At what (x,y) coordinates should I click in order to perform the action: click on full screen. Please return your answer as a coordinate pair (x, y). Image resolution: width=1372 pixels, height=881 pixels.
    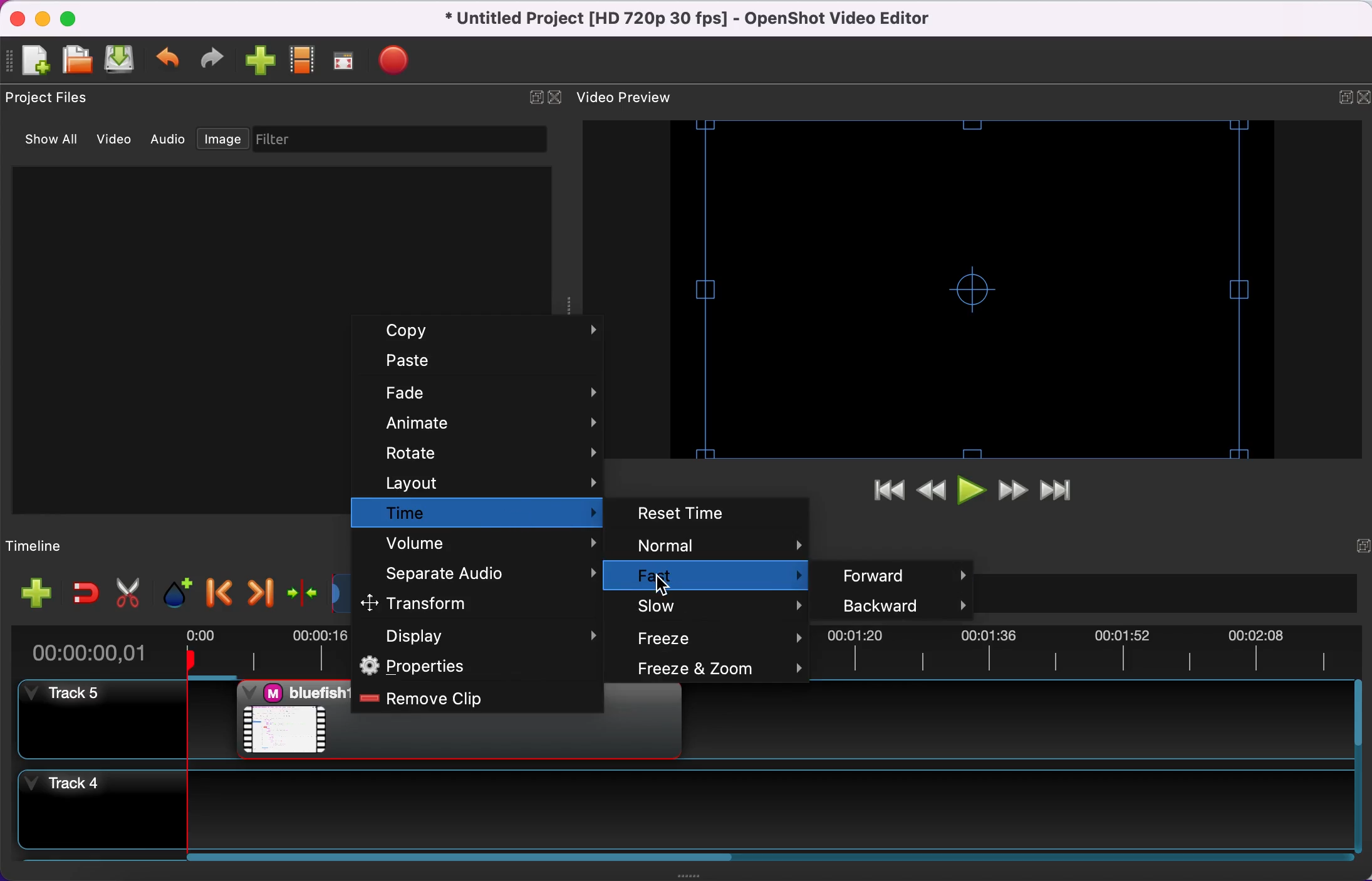
    Looking at the image, I should click on (349, 60).